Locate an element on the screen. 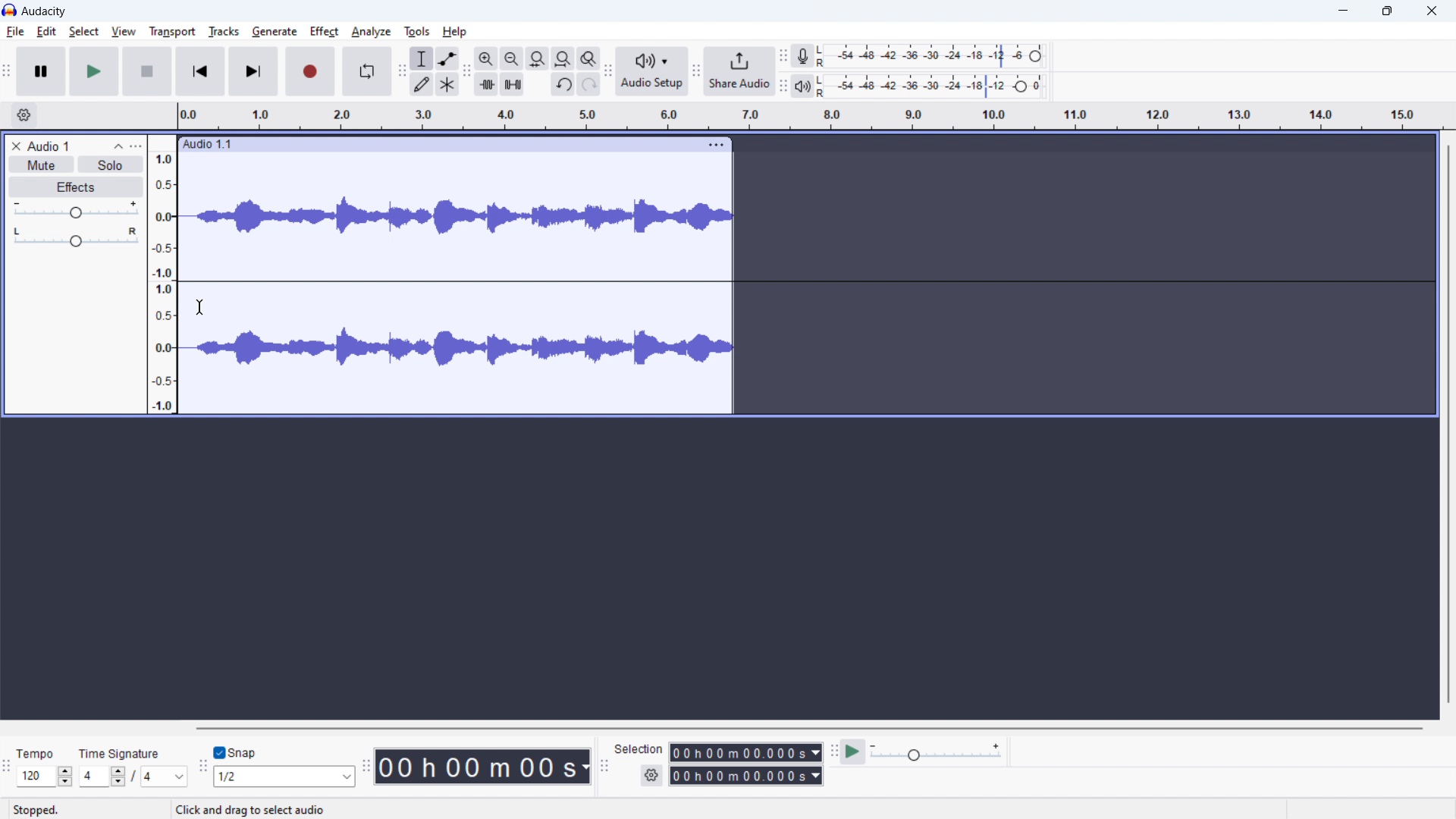 The height and width of the screenshot is (819, 1456). pause is located at coordinates (40, 71).